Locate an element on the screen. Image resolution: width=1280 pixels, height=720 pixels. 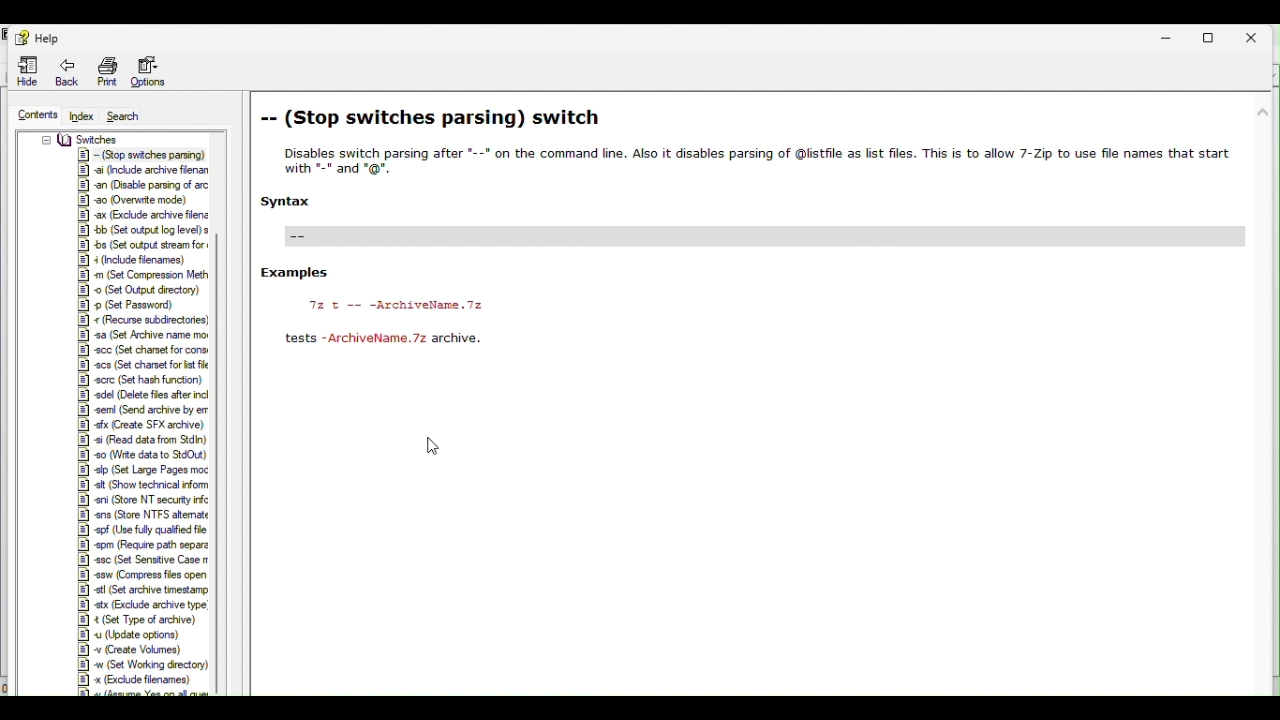
Cursor is located at coordinates (434, 444).